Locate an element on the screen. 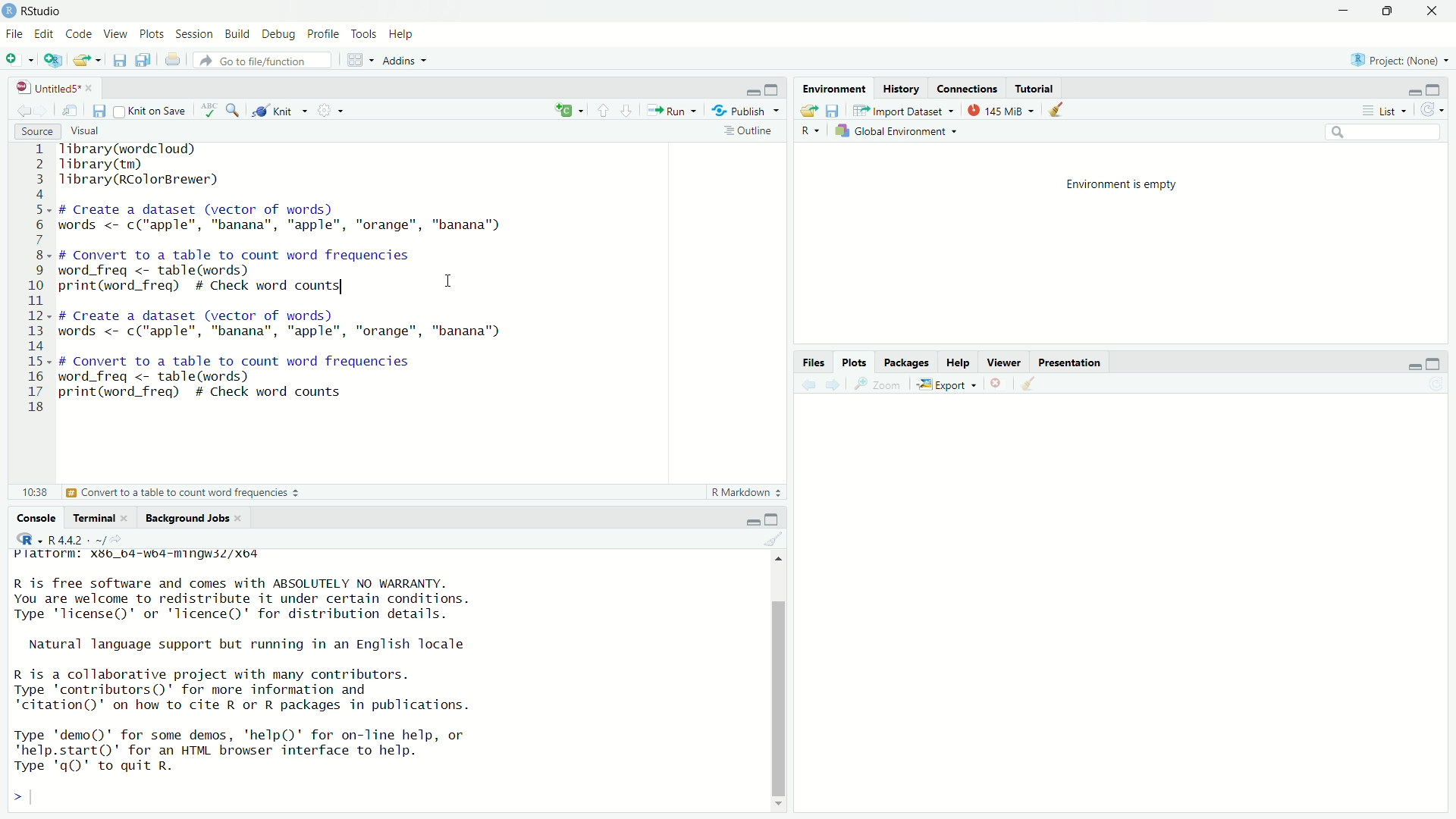 Image resolution: width=1456 pixels, height=819 pixels. Session is located at coordinates (196, 36).